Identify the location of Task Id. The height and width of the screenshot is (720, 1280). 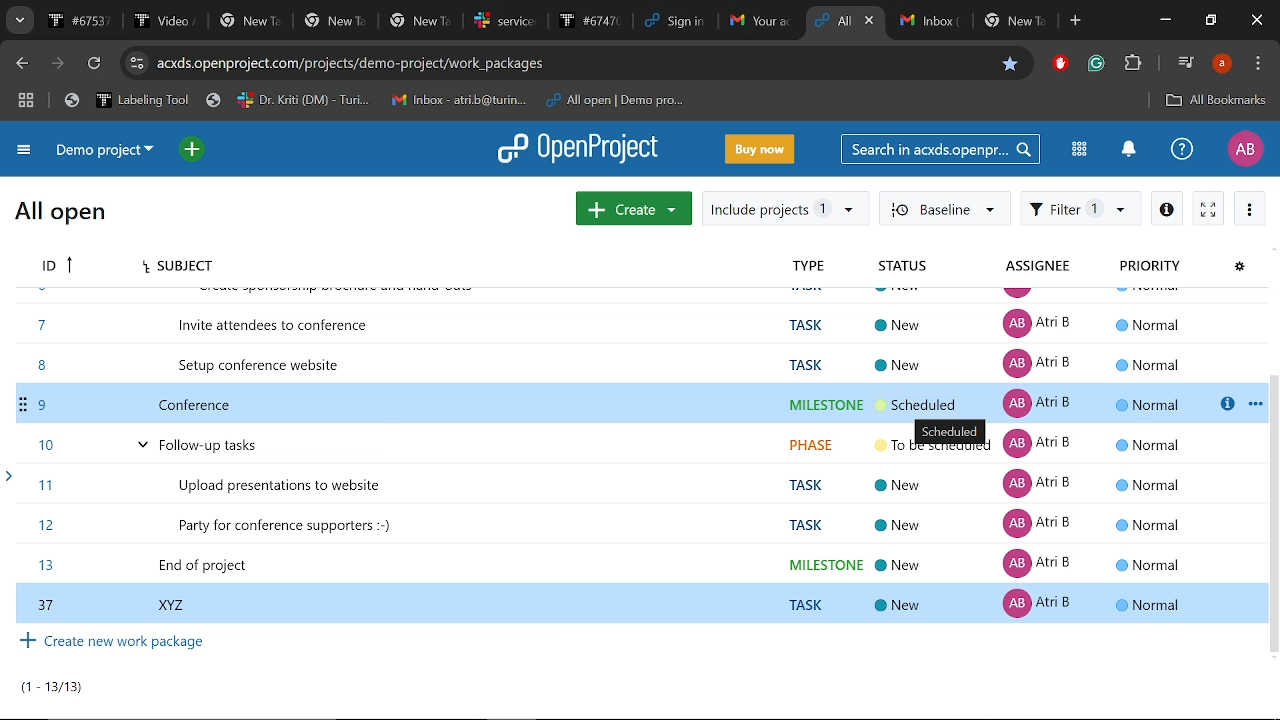
(55, 266).